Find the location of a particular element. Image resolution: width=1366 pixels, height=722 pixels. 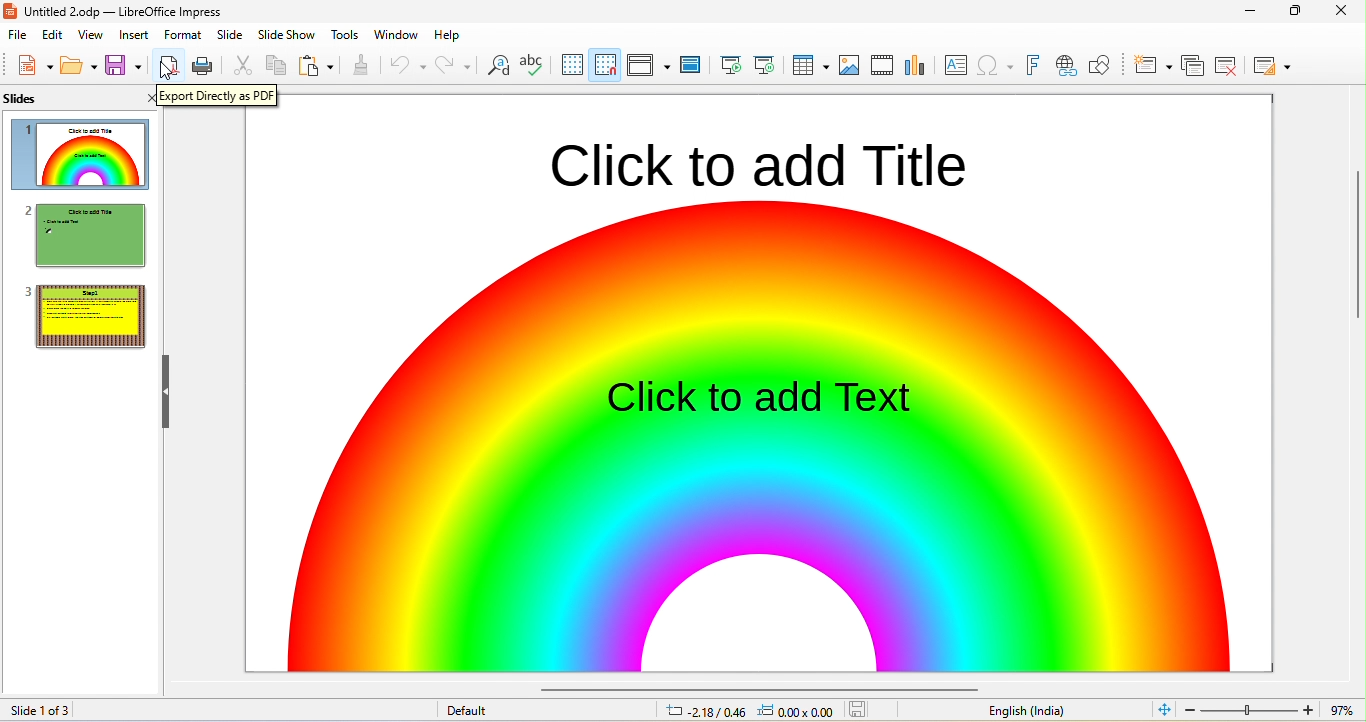

minimize is located at coordinates (1296, 13).